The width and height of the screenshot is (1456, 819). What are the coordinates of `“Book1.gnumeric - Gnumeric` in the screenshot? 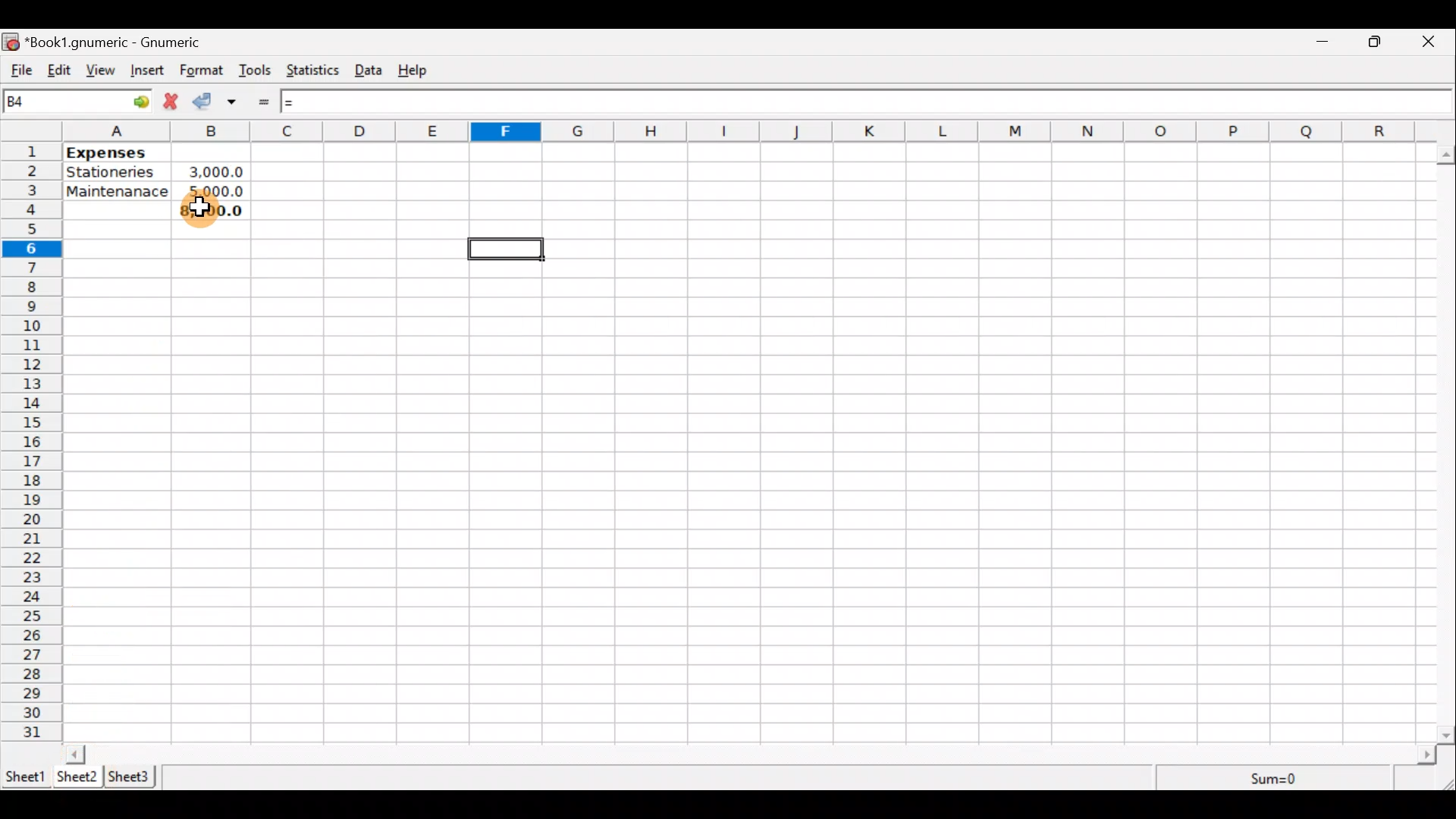 It's located at (121, 42).